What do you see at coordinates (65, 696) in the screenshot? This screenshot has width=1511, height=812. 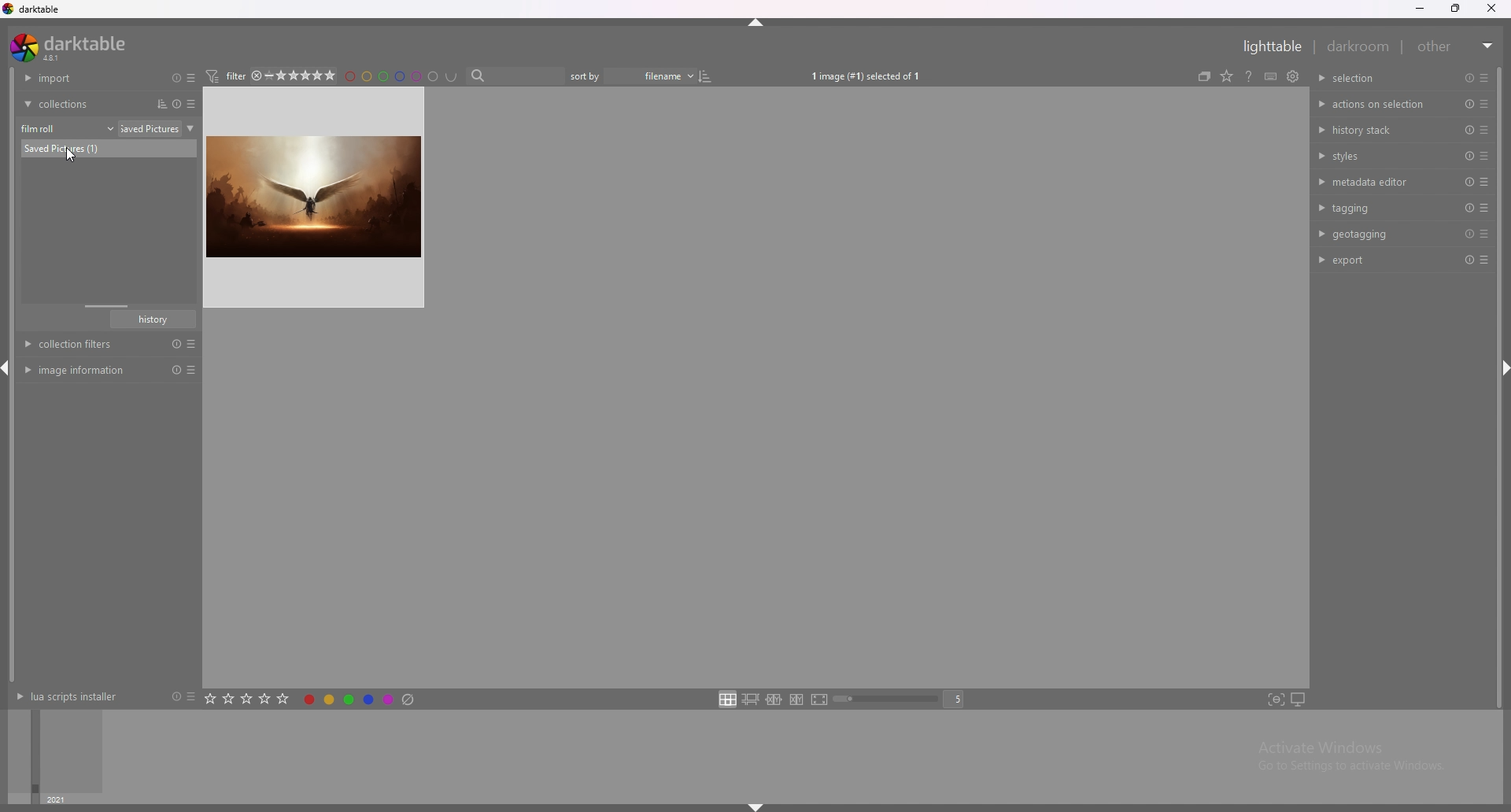 I see `lua scripts installer` at bounding box center [65, 696].